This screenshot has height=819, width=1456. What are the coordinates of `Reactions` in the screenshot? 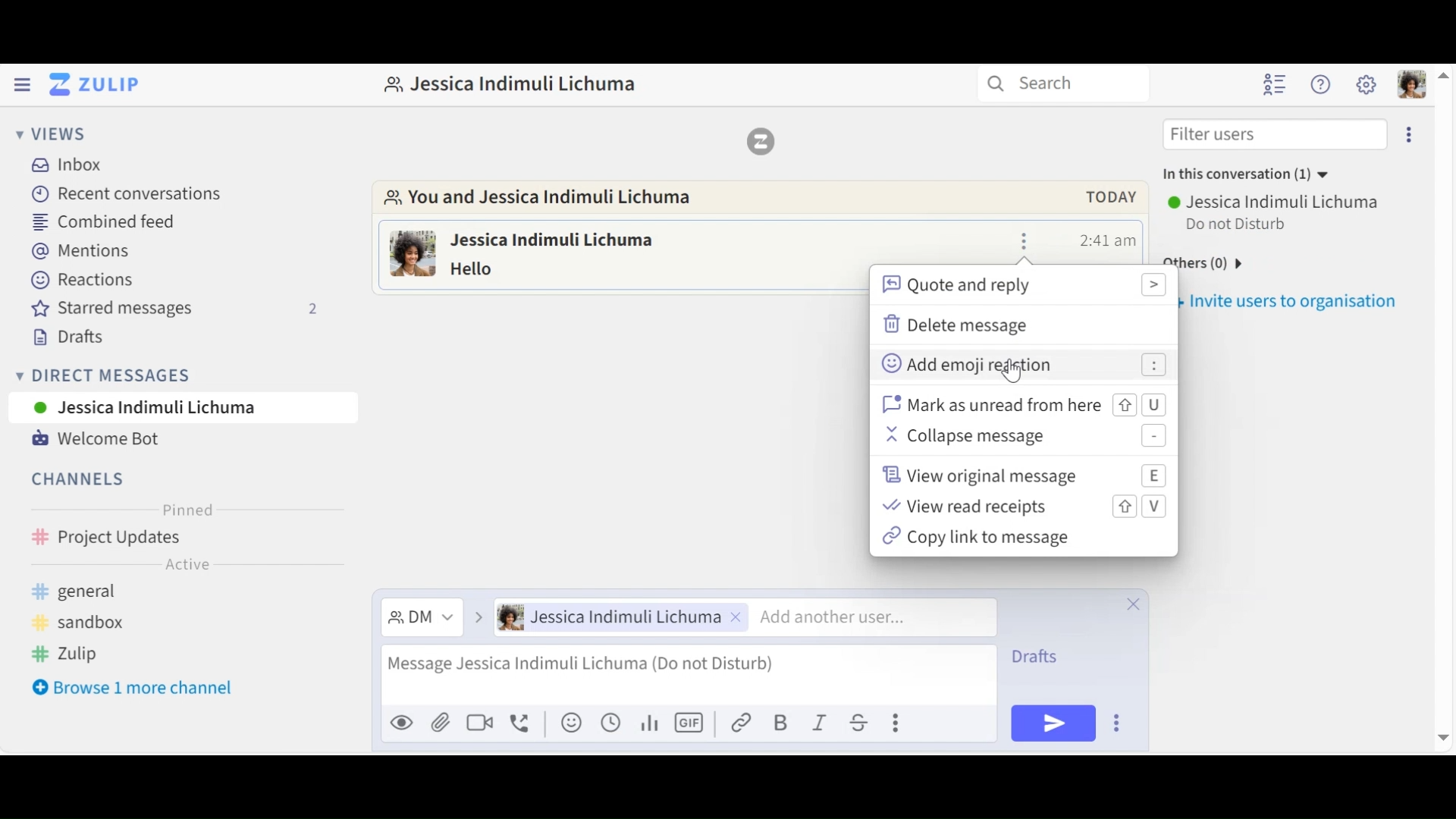 It's located at (80, 281).